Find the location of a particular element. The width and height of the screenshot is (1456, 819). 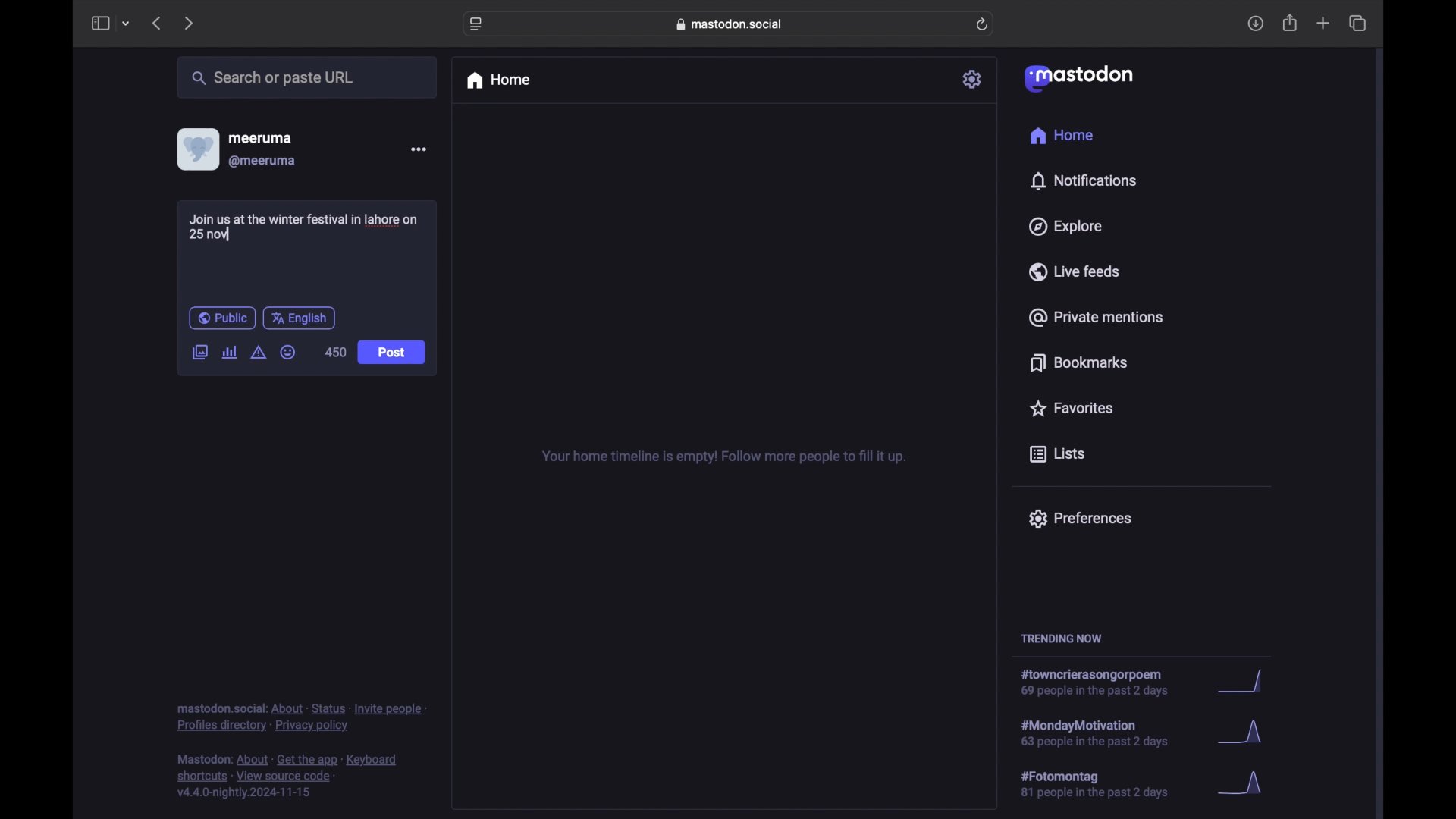

tab group picker is located at coordinates (126, 24).